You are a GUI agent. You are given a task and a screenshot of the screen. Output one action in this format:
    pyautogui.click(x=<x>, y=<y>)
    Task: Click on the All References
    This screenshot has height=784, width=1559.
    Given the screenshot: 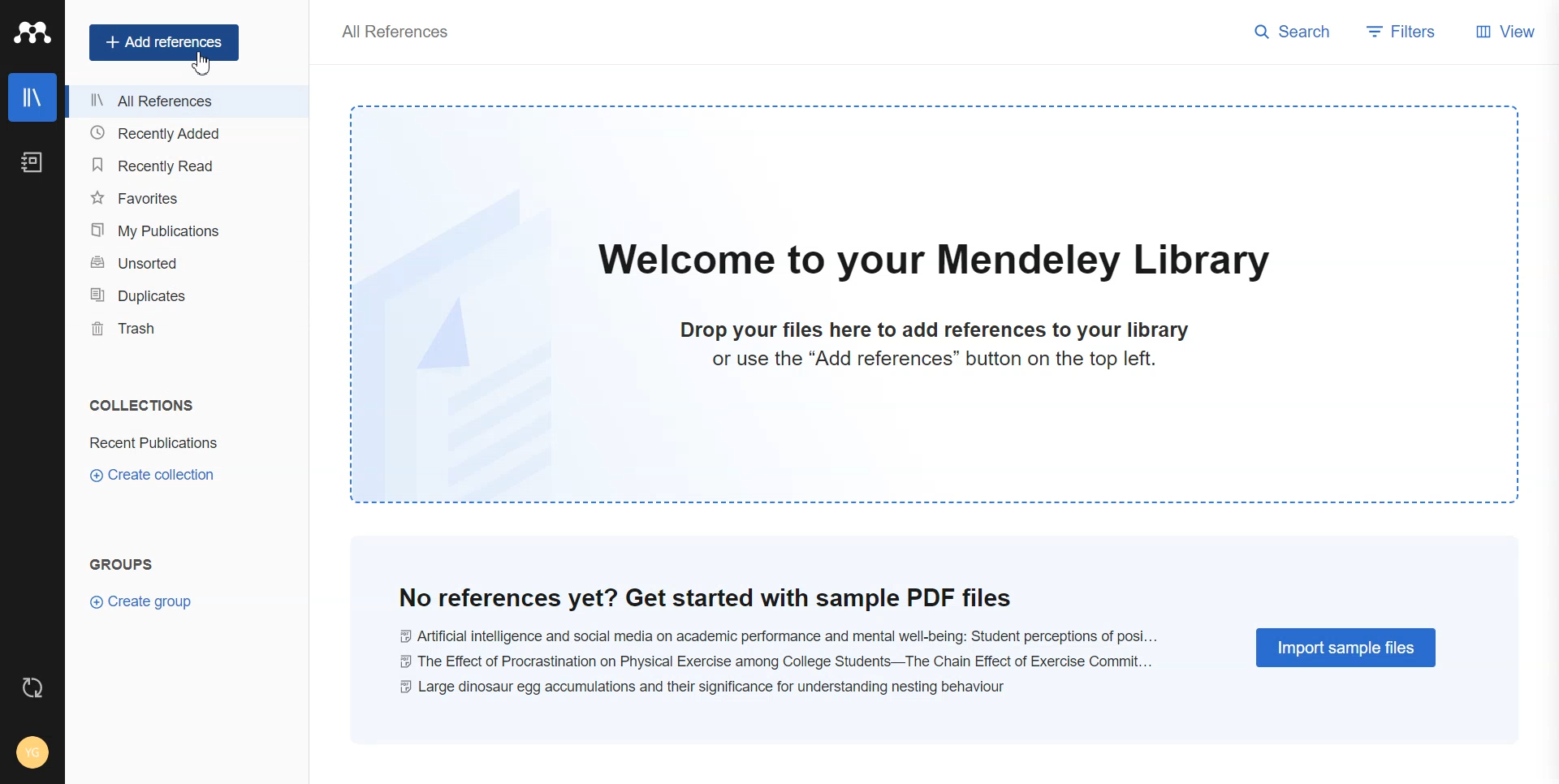 What is the action you would take?
    pyautogui.click(x=399, y=31)
    